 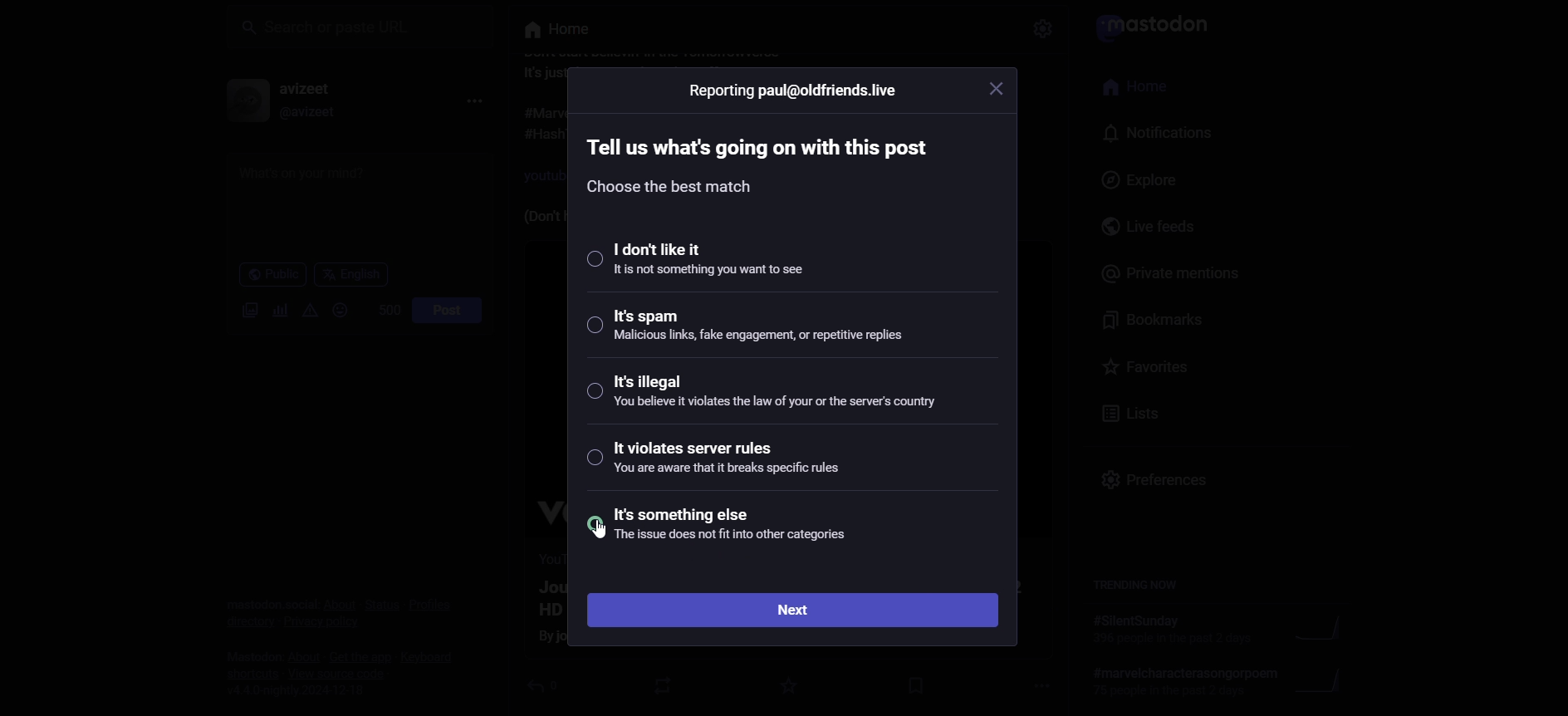 I want to click on , so click(x=1043, y=32).